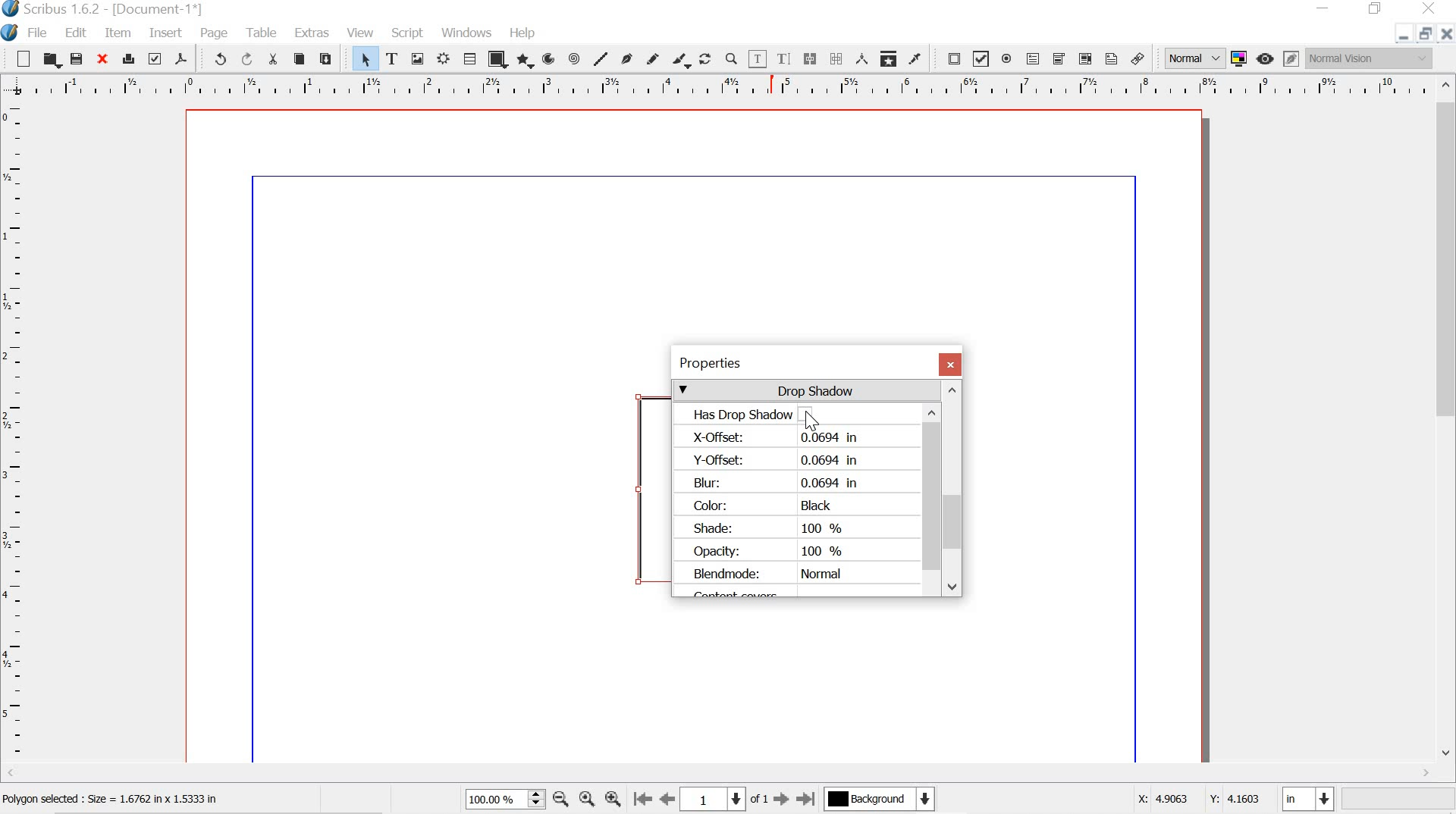 The height and width of the screenshot is (814, 1456). What do you see at coordinates (613, 796) in the screenshot?
I see `zoom in` at bounding box center [613, 796].